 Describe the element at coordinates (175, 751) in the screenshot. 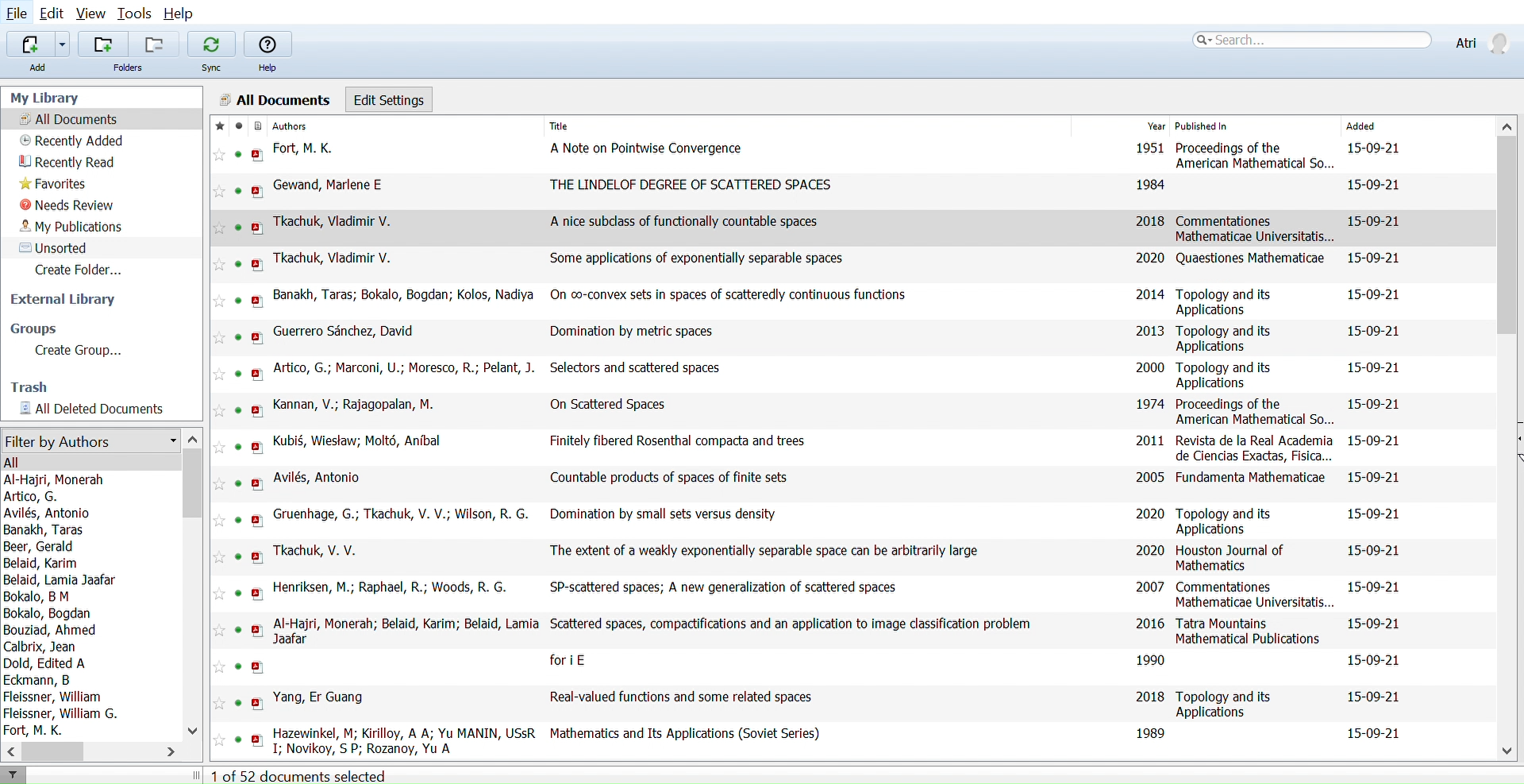

I see `Move right in filter by authors` at that location.